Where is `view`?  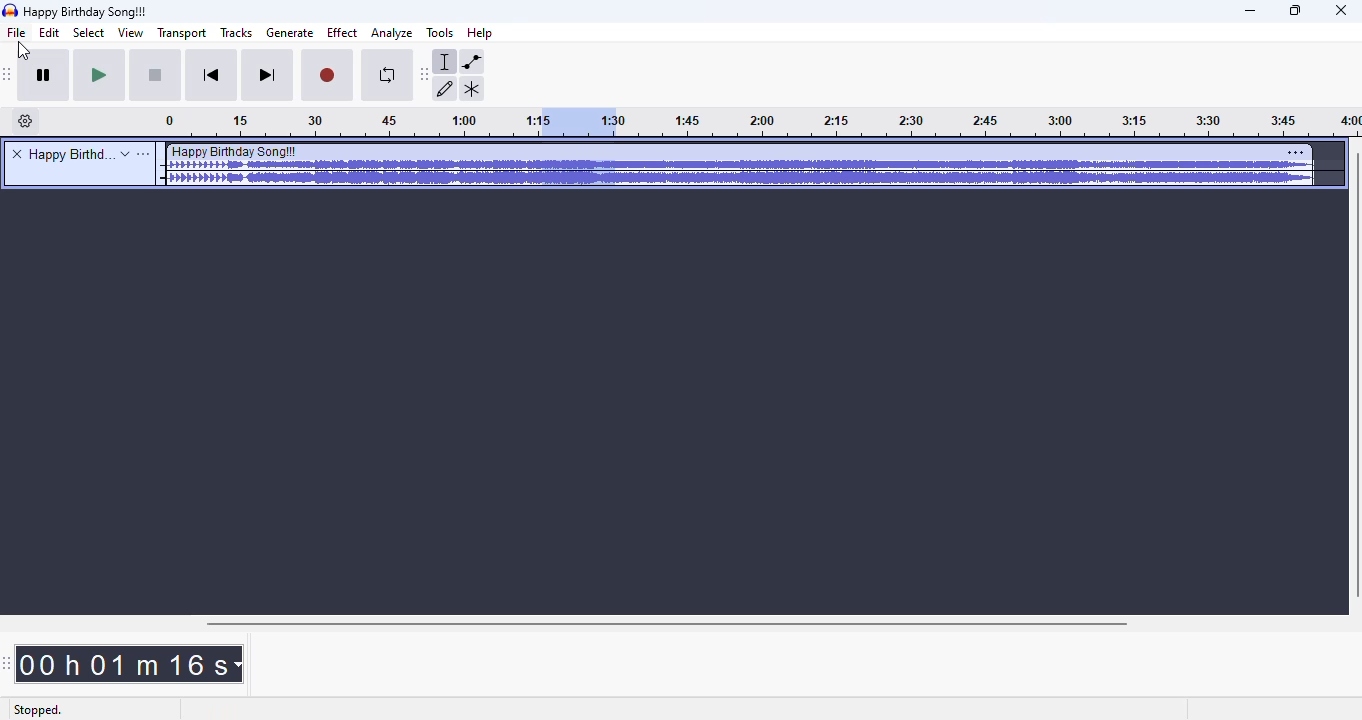
view is located at coordinates (129, 33).